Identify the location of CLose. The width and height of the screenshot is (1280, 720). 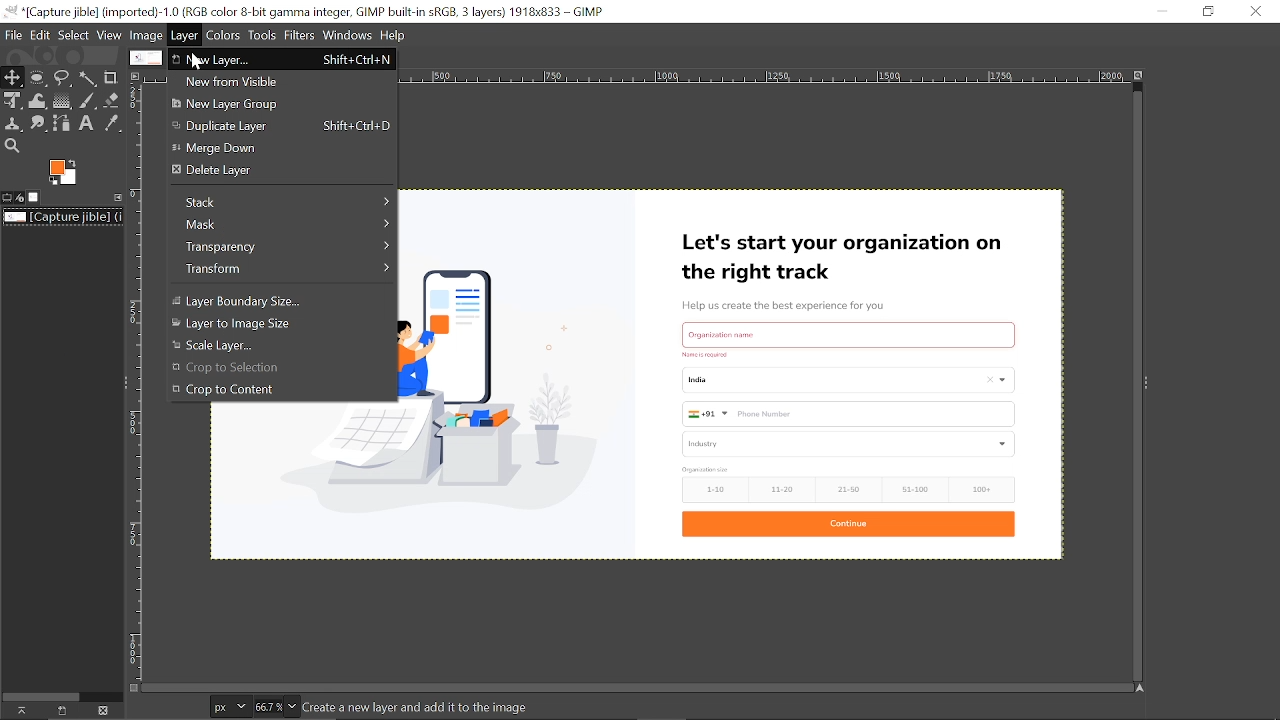
(1254, 10).